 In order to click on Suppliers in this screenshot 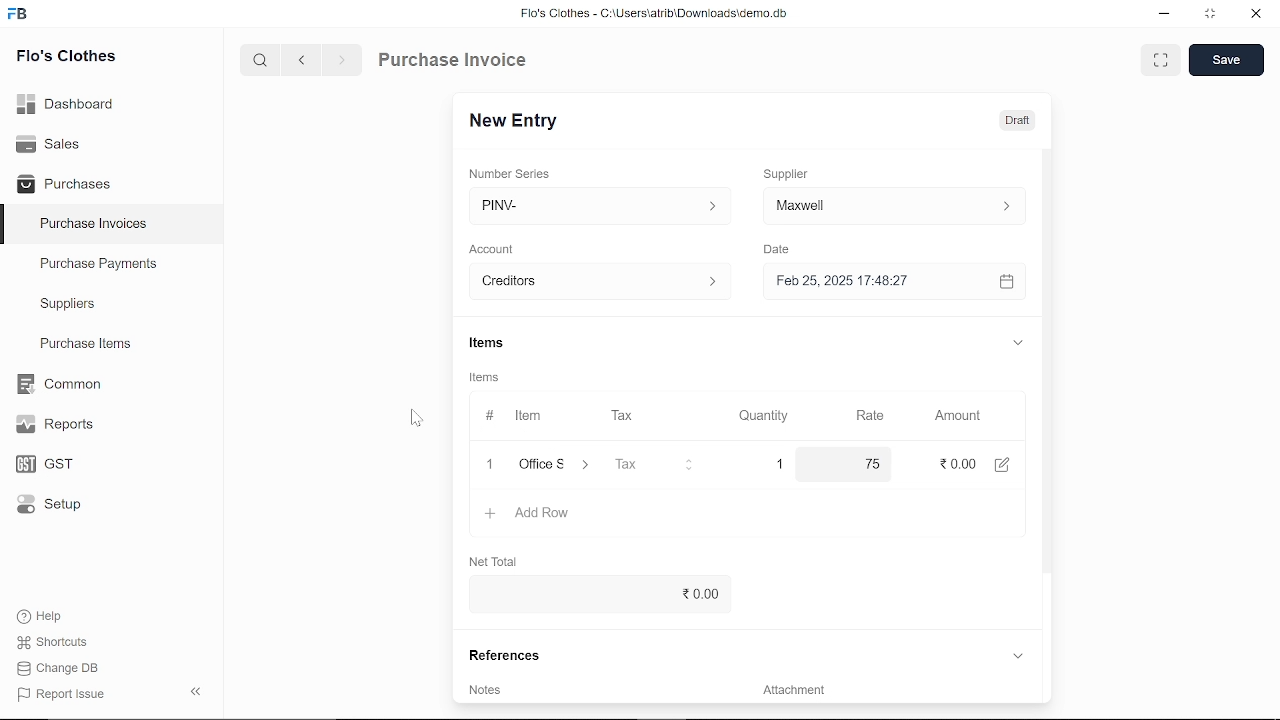, I will do `click(68, 304)`.